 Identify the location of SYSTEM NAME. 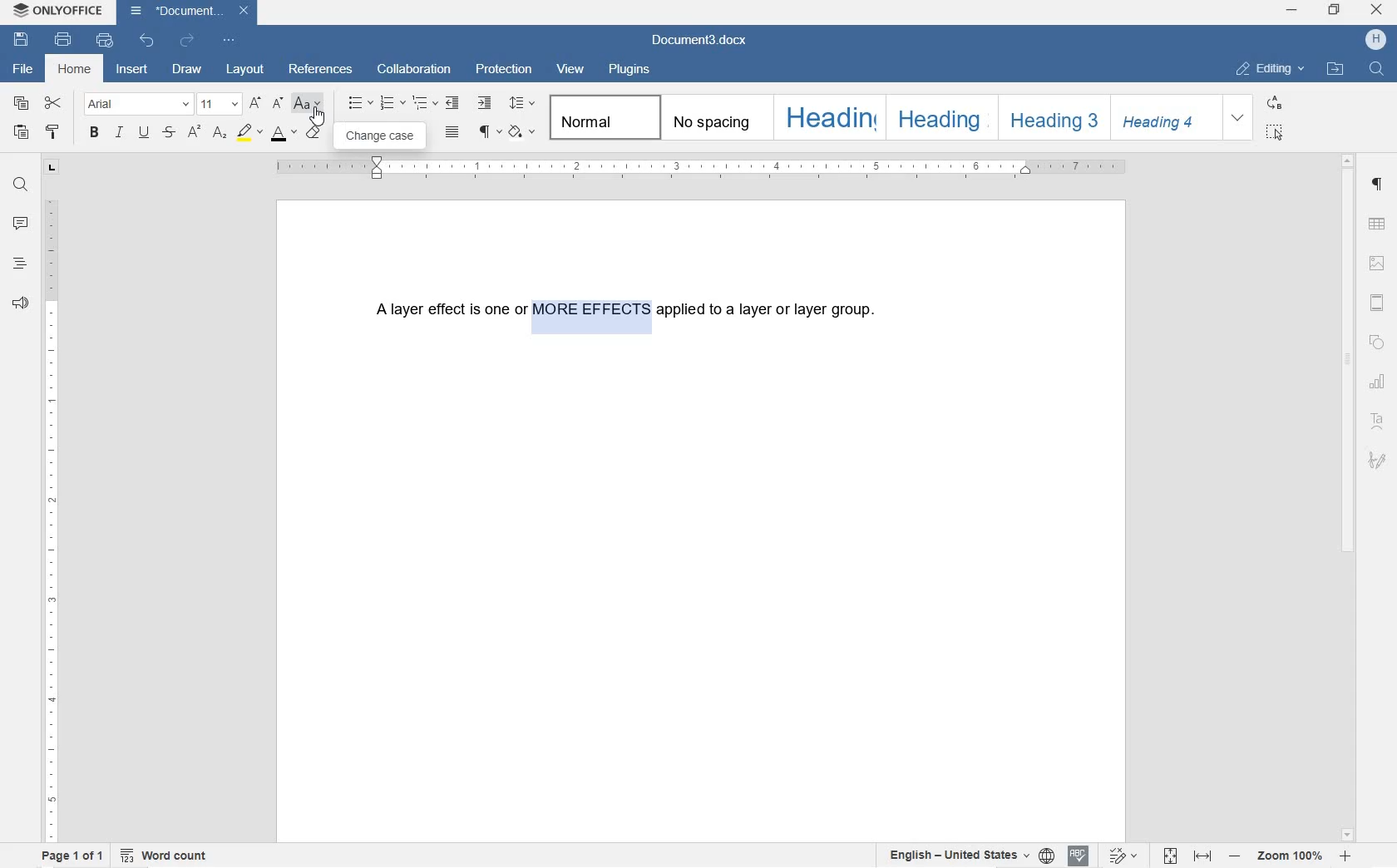
(58, 8).